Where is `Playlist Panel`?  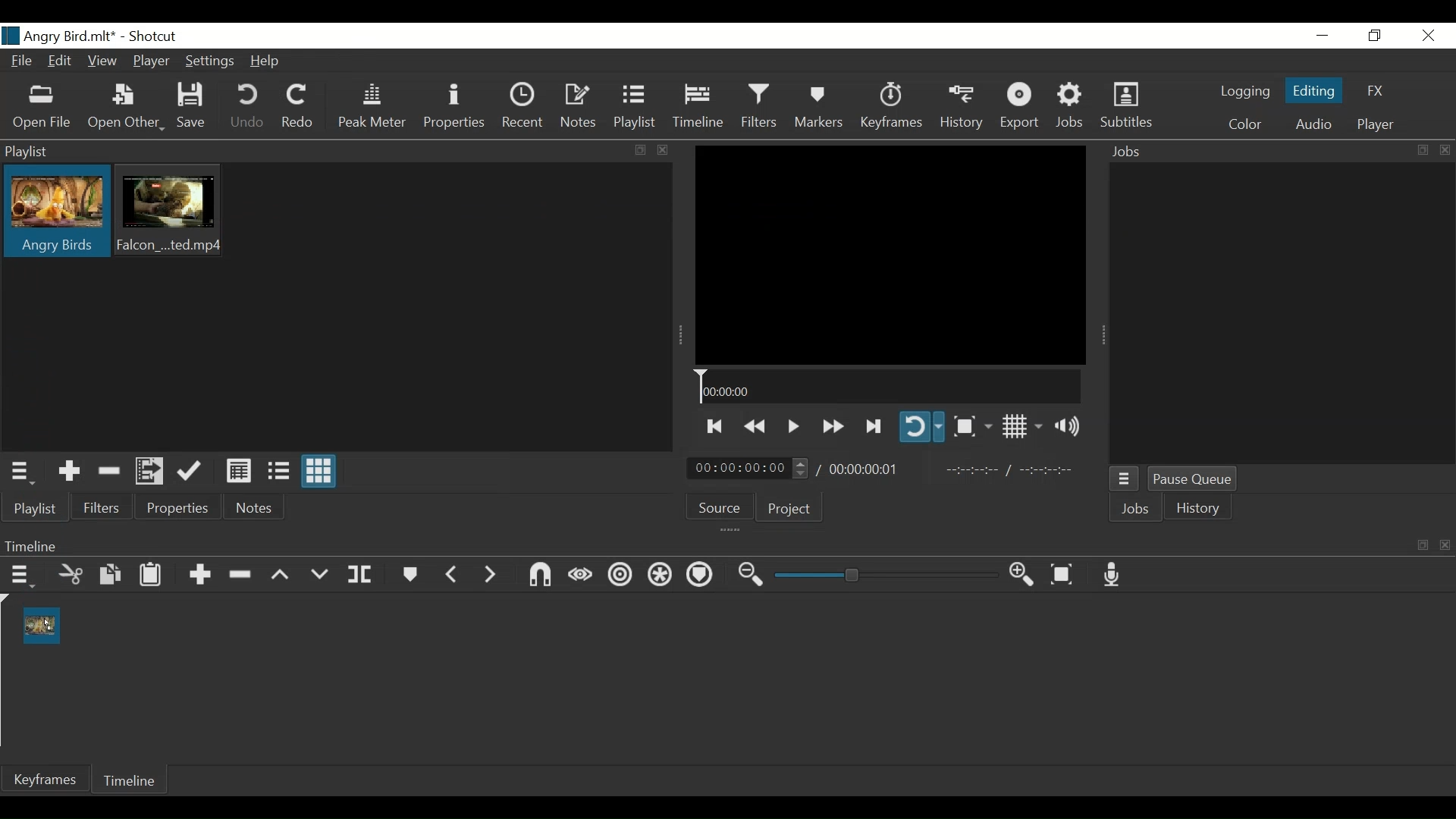
Playlist Panel is located at coordinates (333, 152).